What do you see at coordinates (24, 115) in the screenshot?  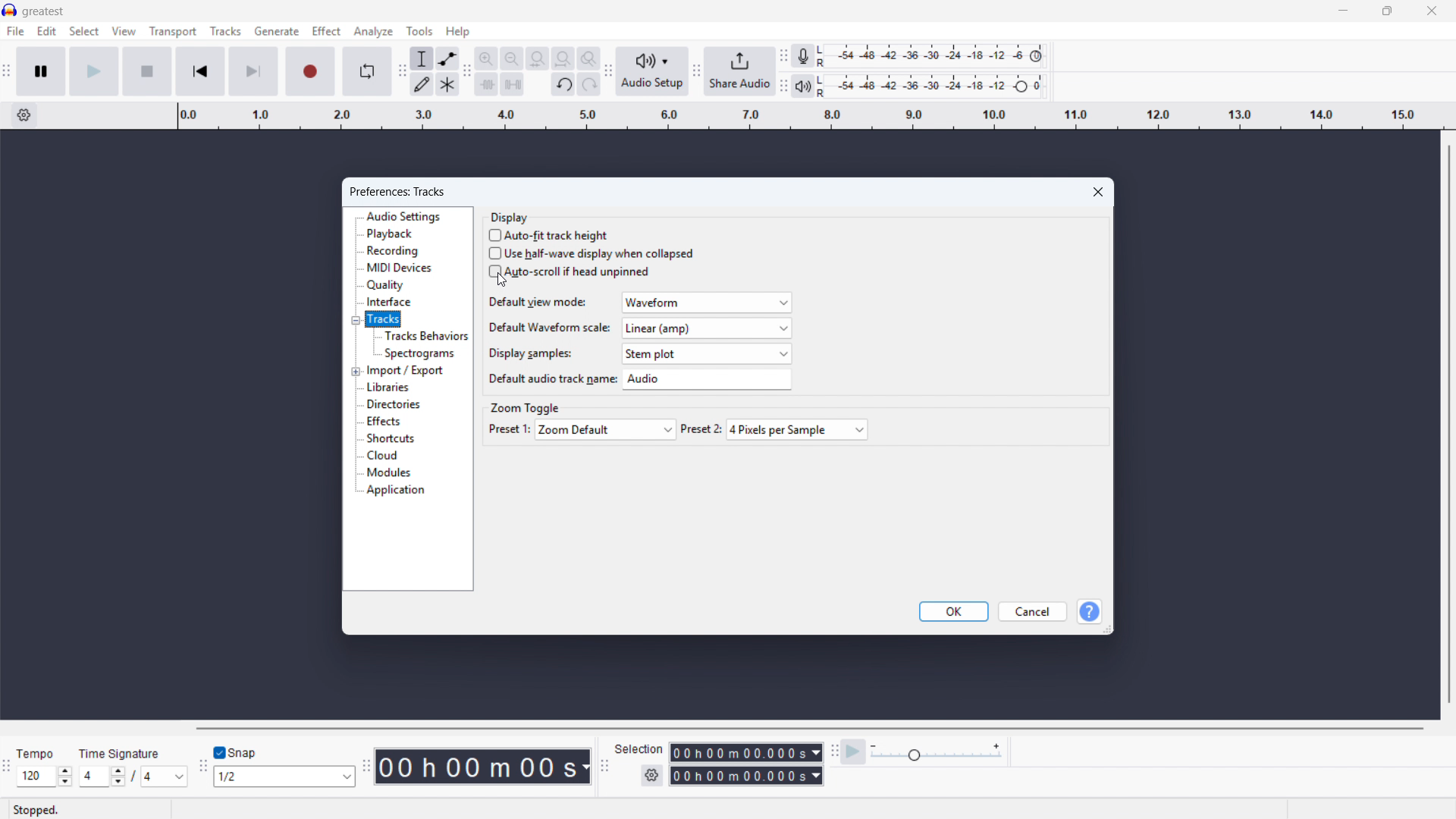 I see `Timeline settings ` at bounding box center [24, 115].